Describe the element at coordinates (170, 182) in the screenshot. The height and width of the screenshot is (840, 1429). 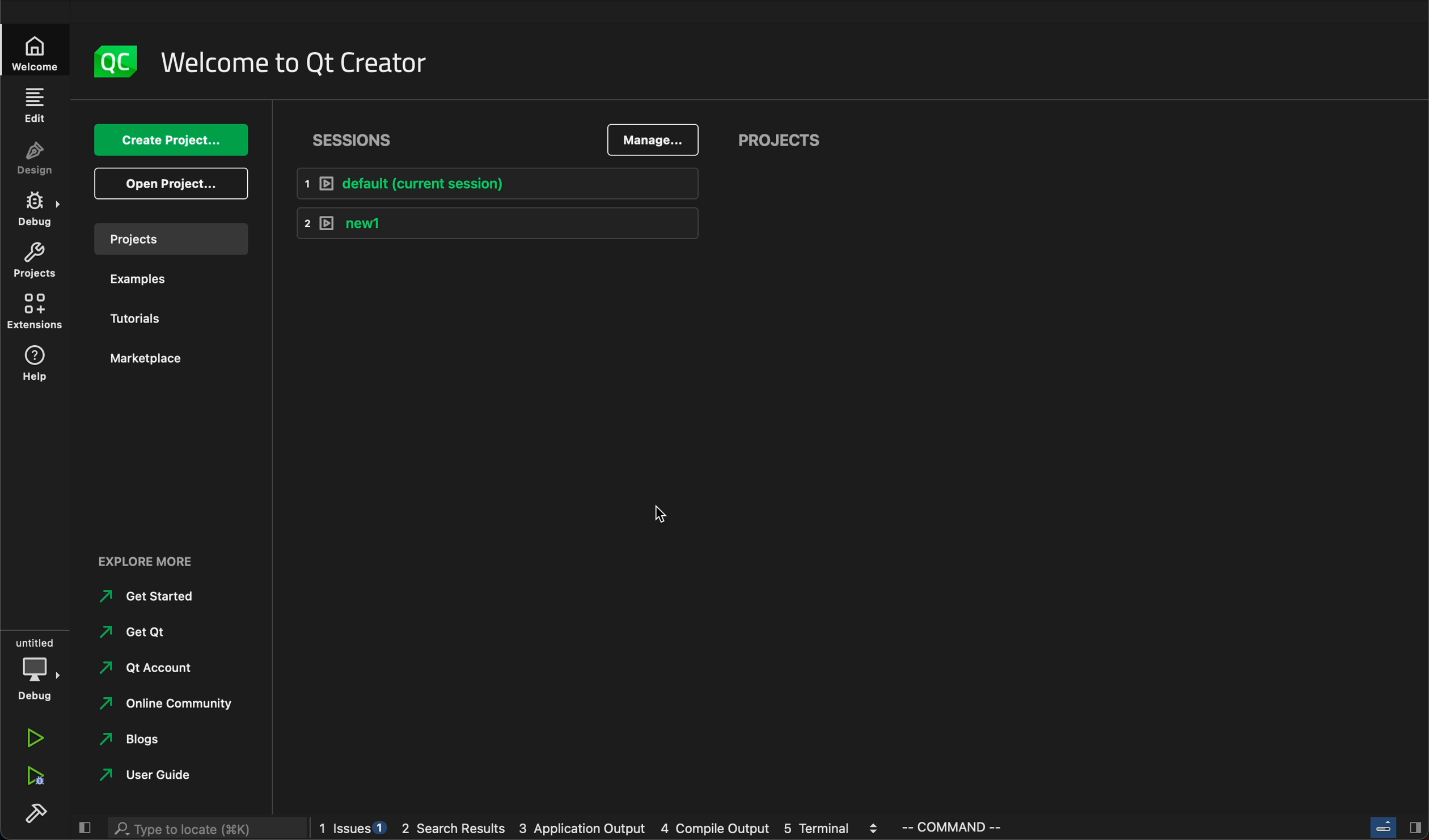
I see `open` at that location.